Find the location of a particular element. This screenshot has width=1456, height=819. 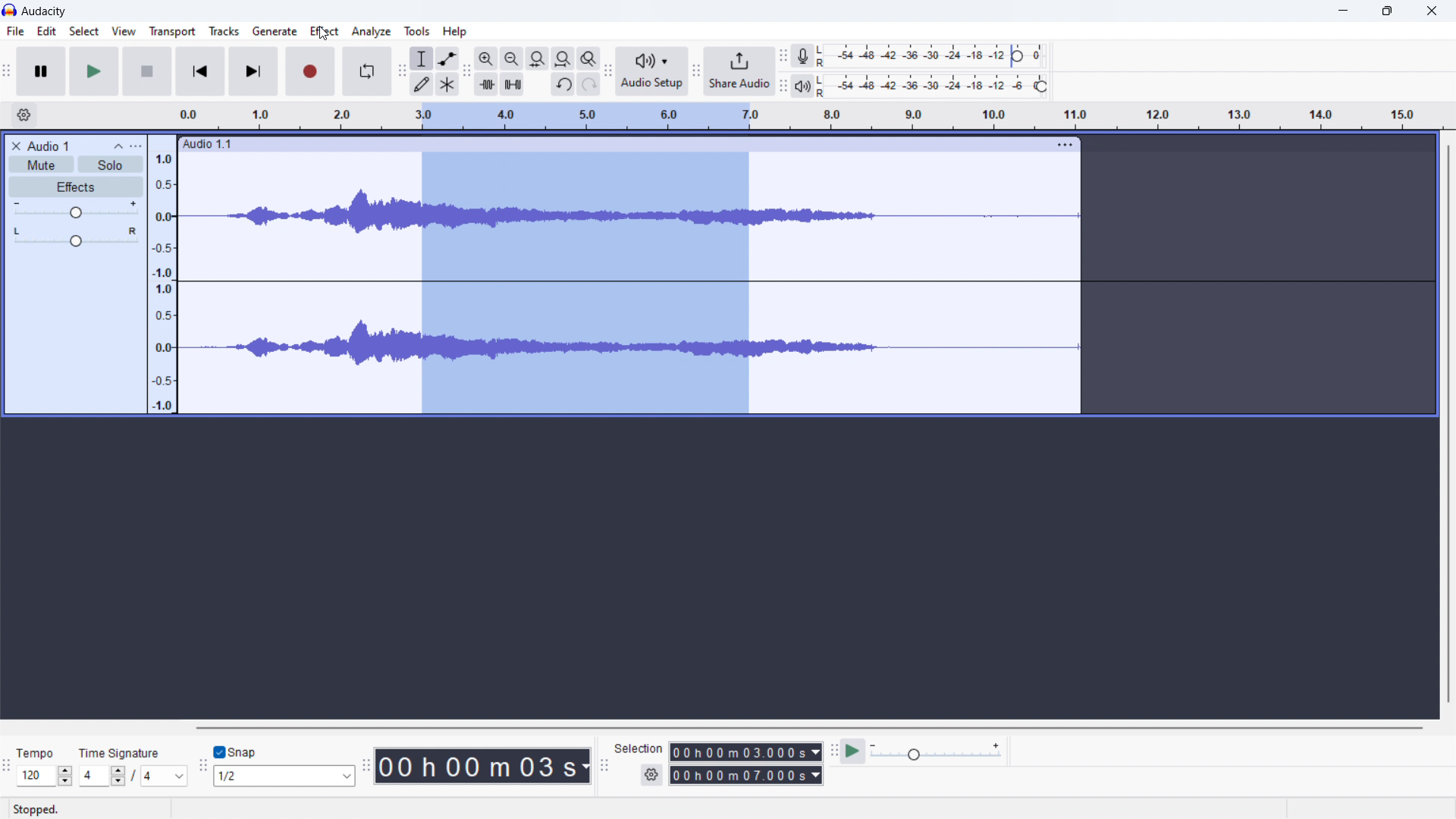

4 is located at coordinates (100, 777).